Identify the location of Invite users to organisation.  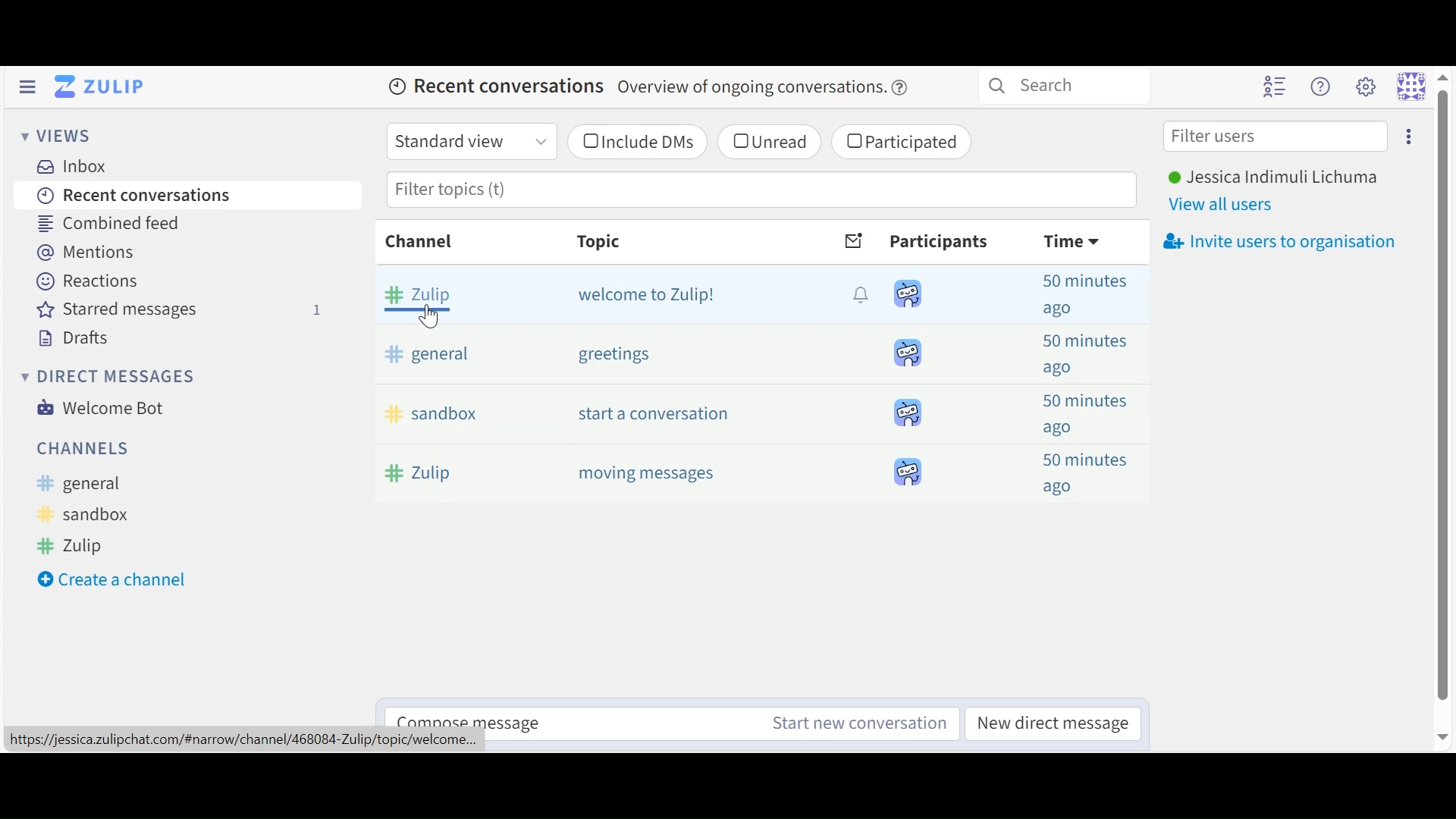
(1280, 240).